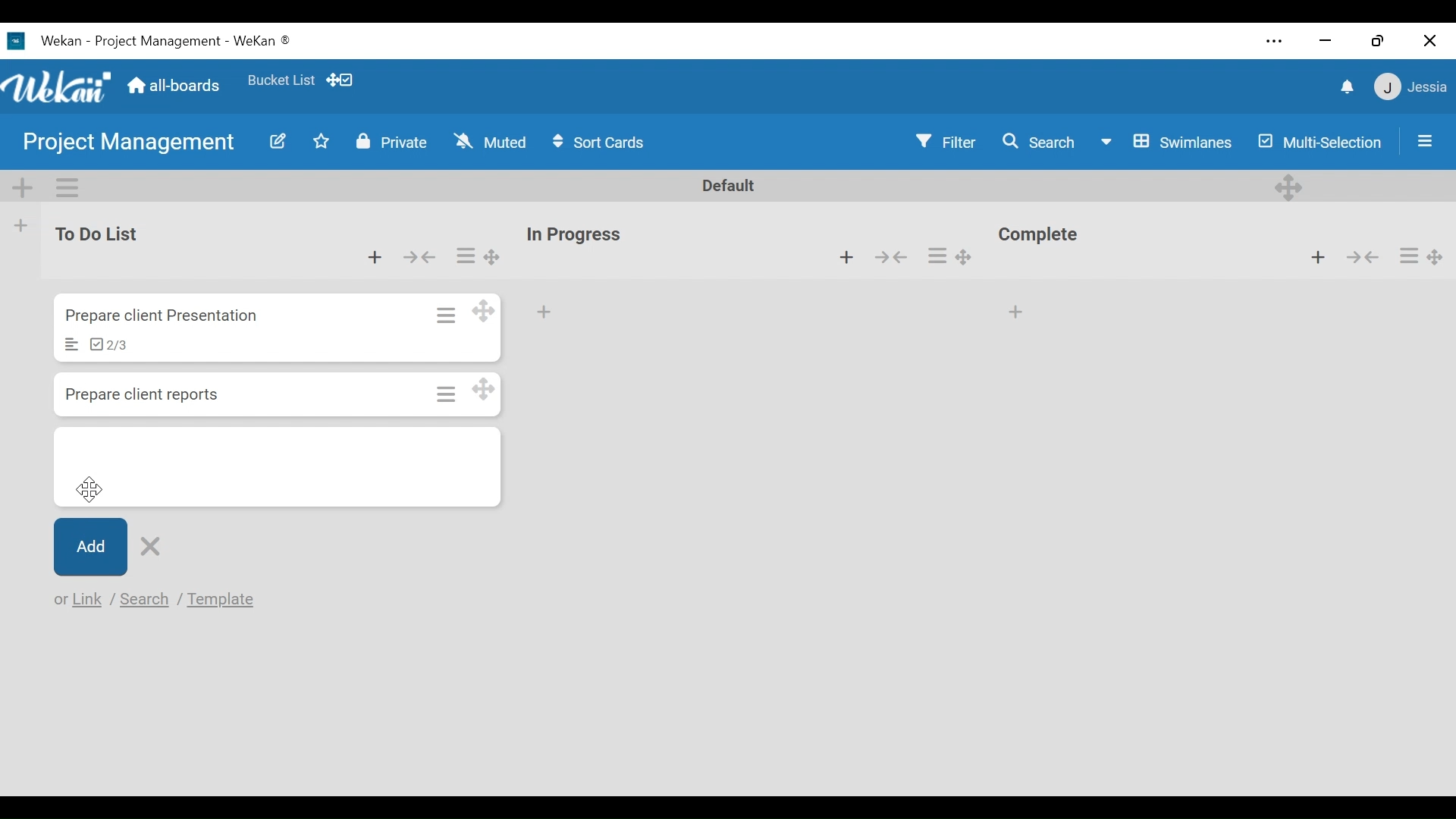 The height and width of the screenshot is (819, 1456). Describe the element at coordinates (601, 143) in the screenshot. I see `Sort cards` at that location.